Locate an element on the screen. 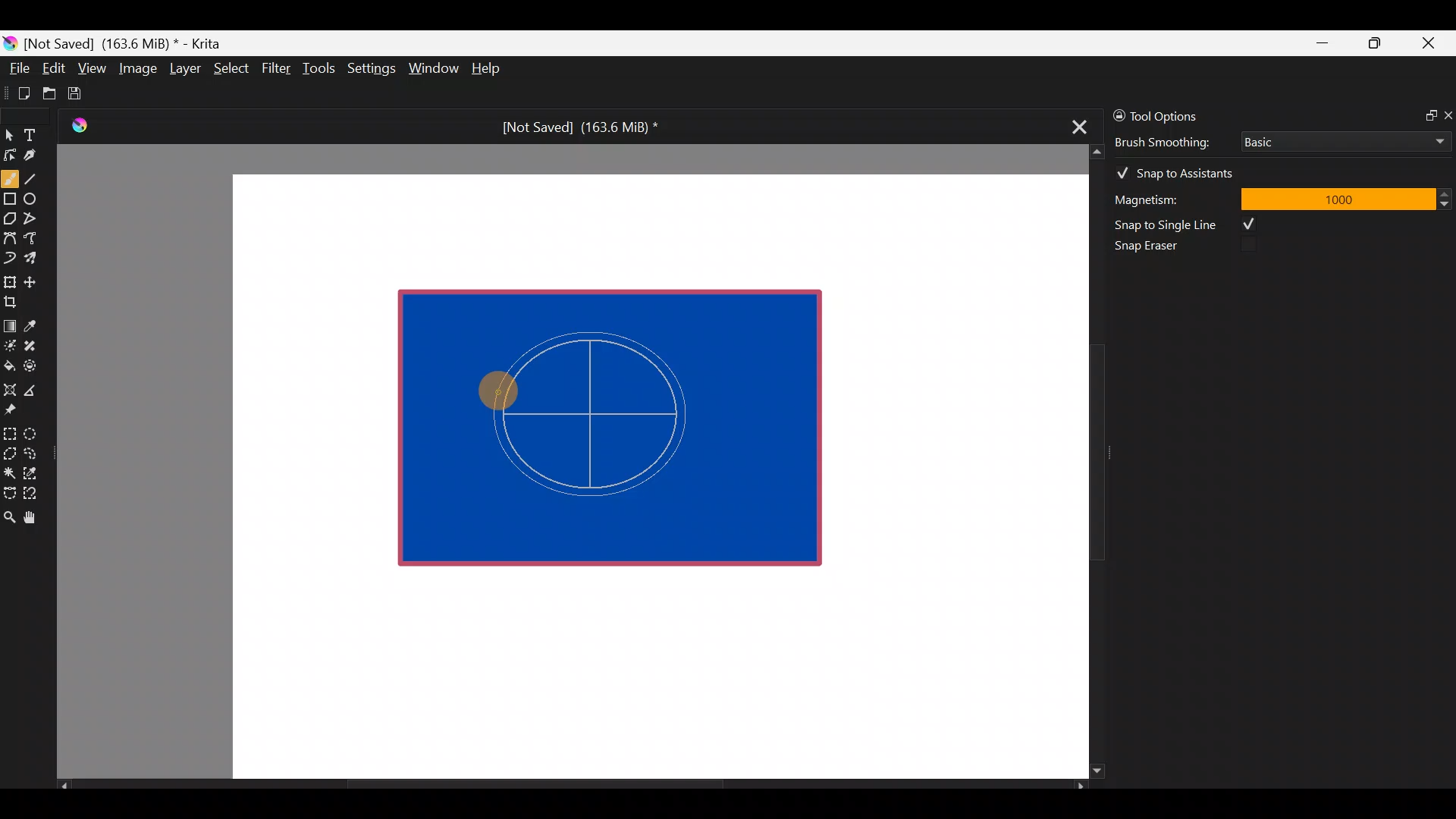  Image is located at coordinates (137, 68).